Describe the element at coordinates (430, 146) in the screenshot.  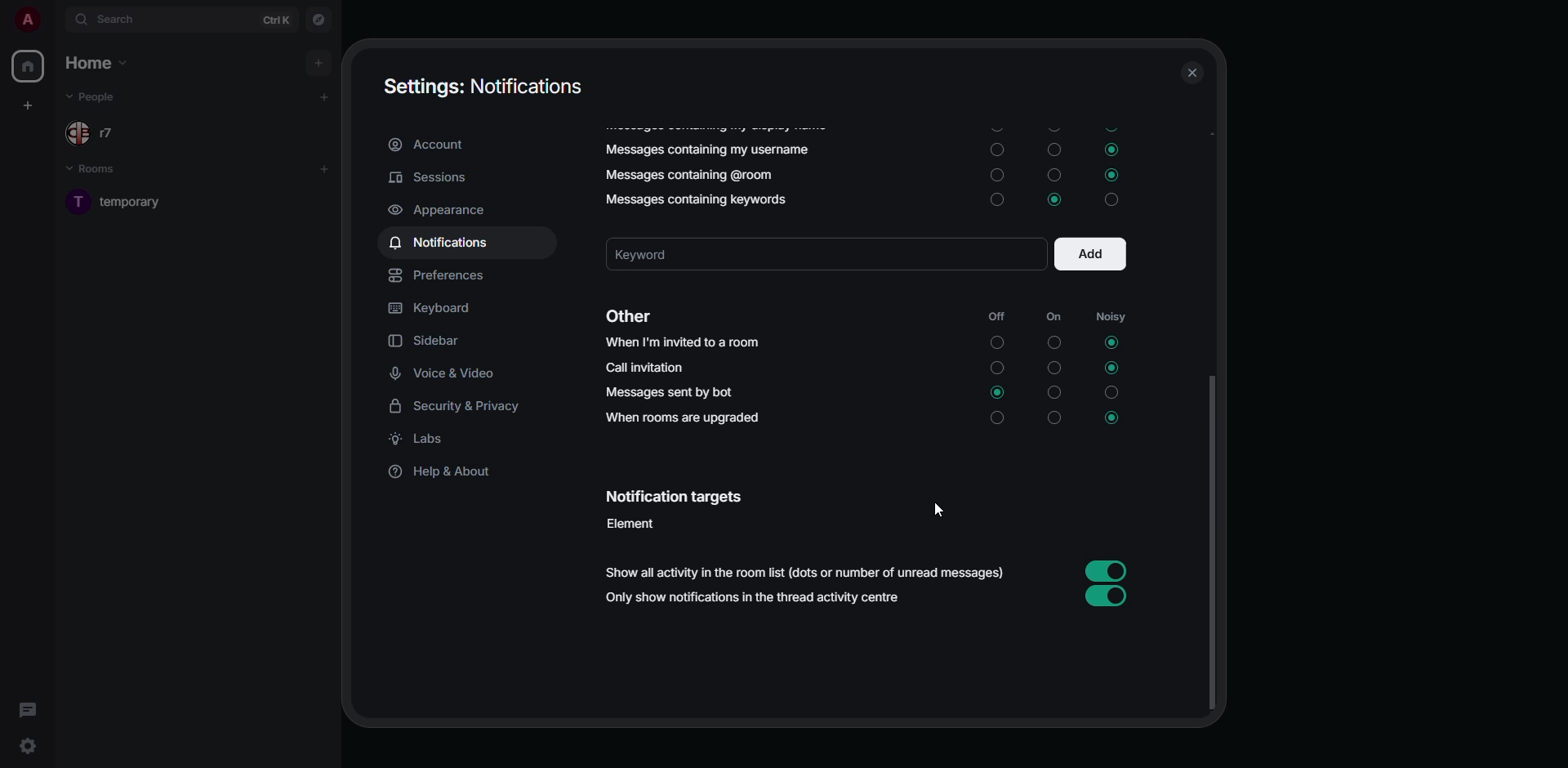
I see `account` at that location.